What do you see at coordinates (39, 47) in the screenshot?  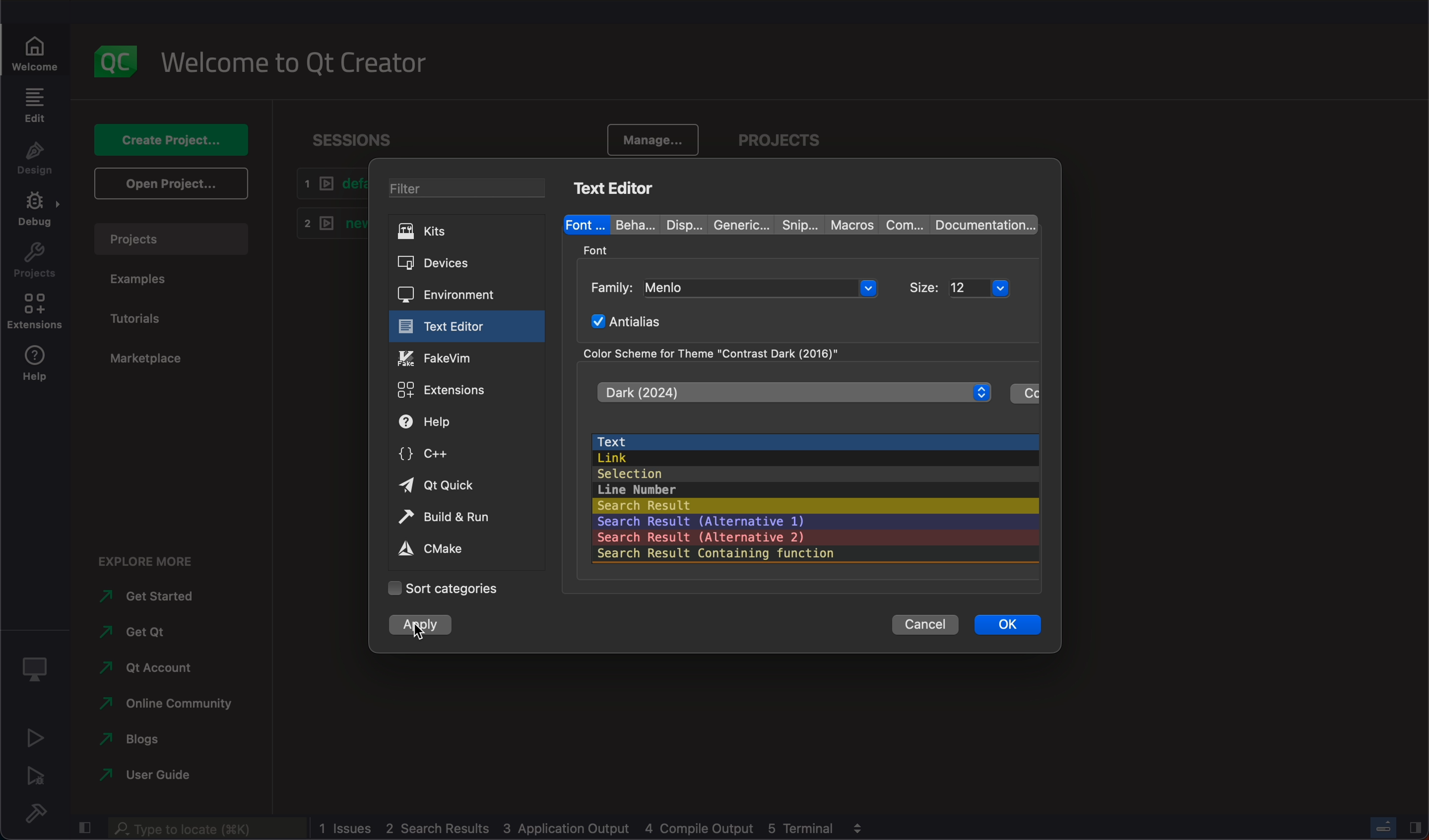 I see `welcome` at bounding box center [39, 47].